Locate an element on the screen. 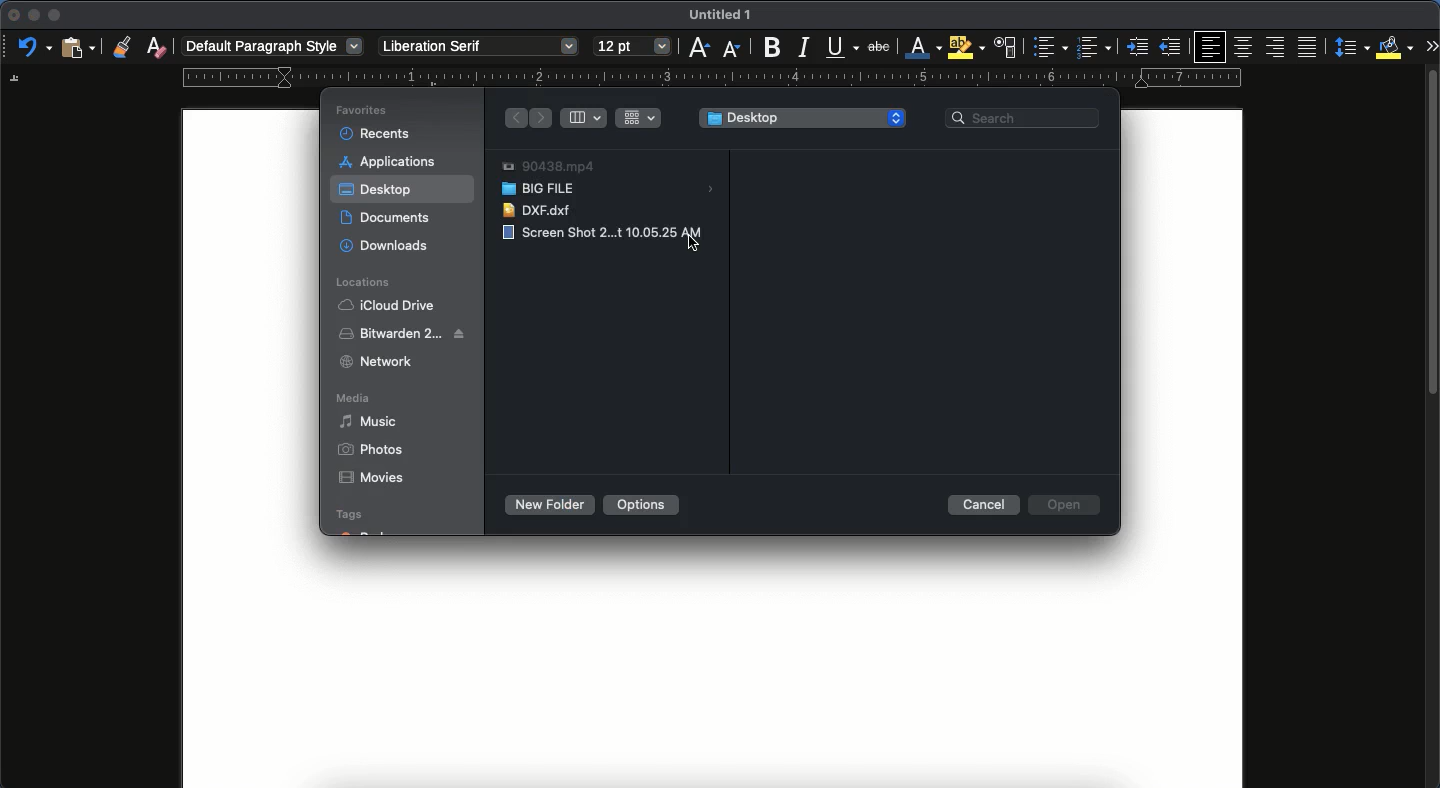 The image size is (1440, 788). decrease size is located at coordinates (731, 47).